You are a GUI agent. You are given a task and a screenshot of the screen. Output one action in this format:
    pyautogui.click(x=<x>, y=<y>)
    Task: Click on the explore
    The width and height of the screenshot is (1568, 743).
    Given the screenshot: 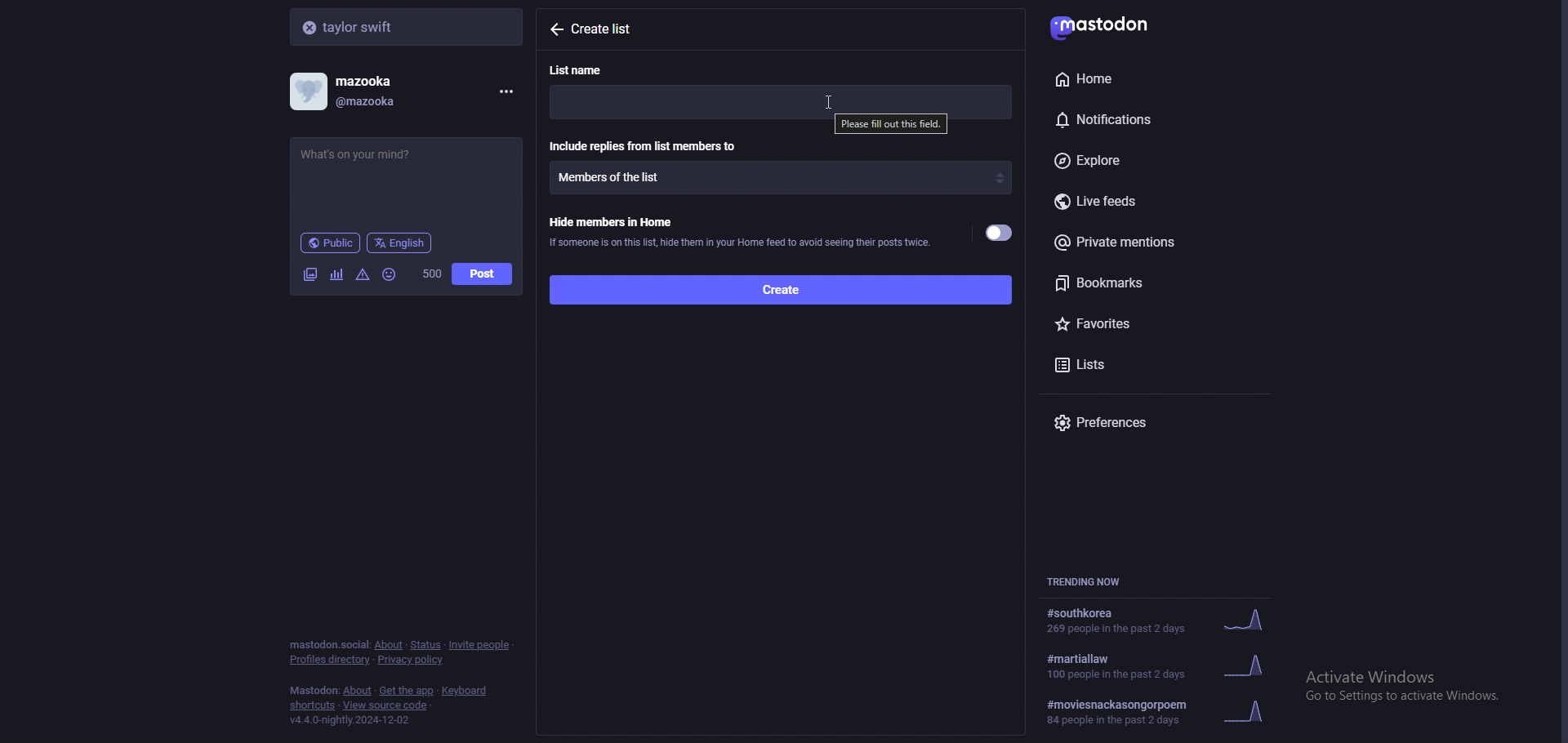 What is the action you would take?
    pyautogui.click(x=1150, y=162)
    